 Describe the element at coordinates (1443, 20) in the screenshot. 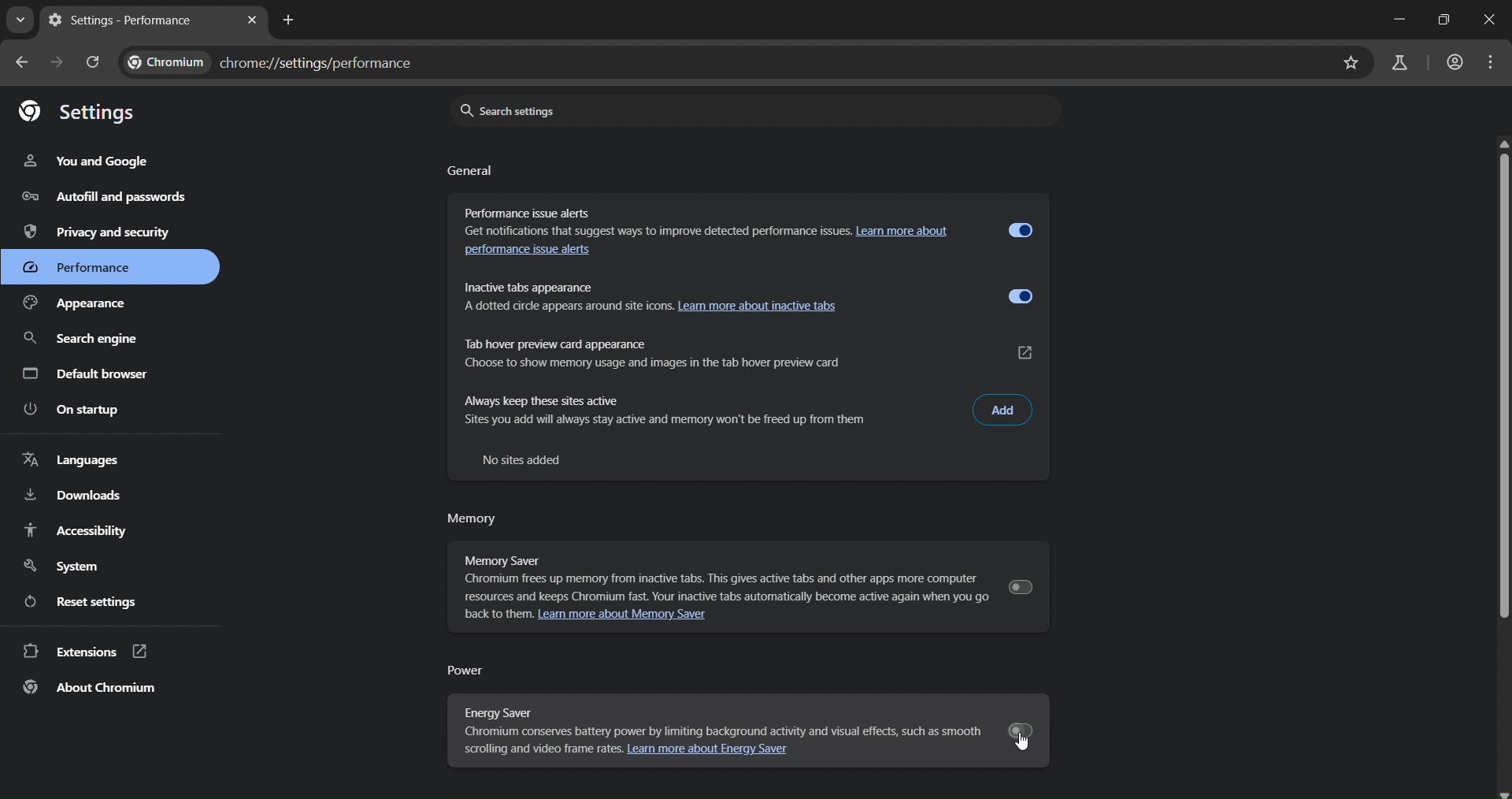

I see `restore down` at that location.